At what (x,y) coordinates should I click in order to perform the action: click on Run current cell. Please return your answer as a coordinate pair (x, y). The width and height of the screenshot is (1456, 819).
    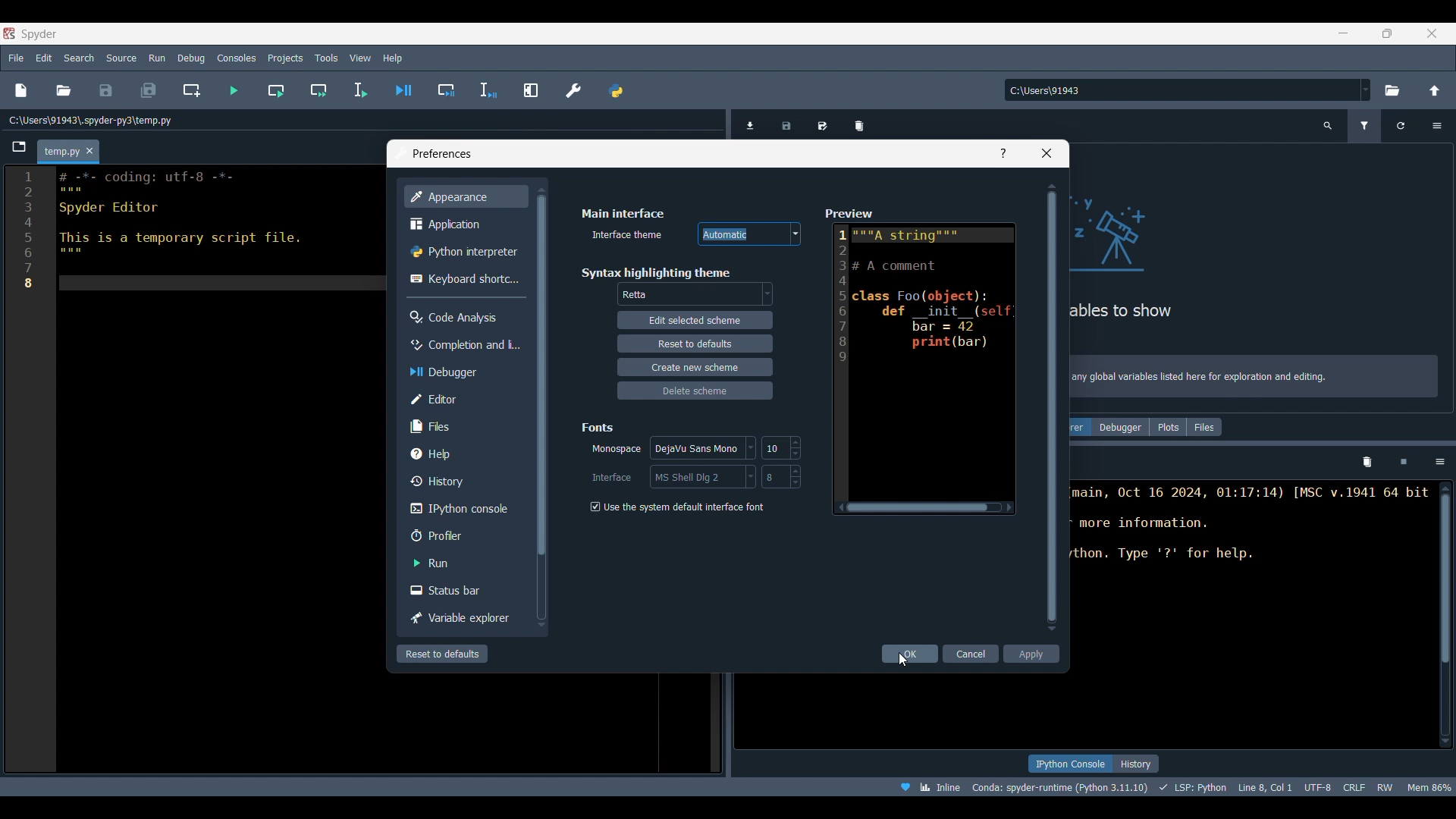
    Looking at the image, I should click on (276, 90).